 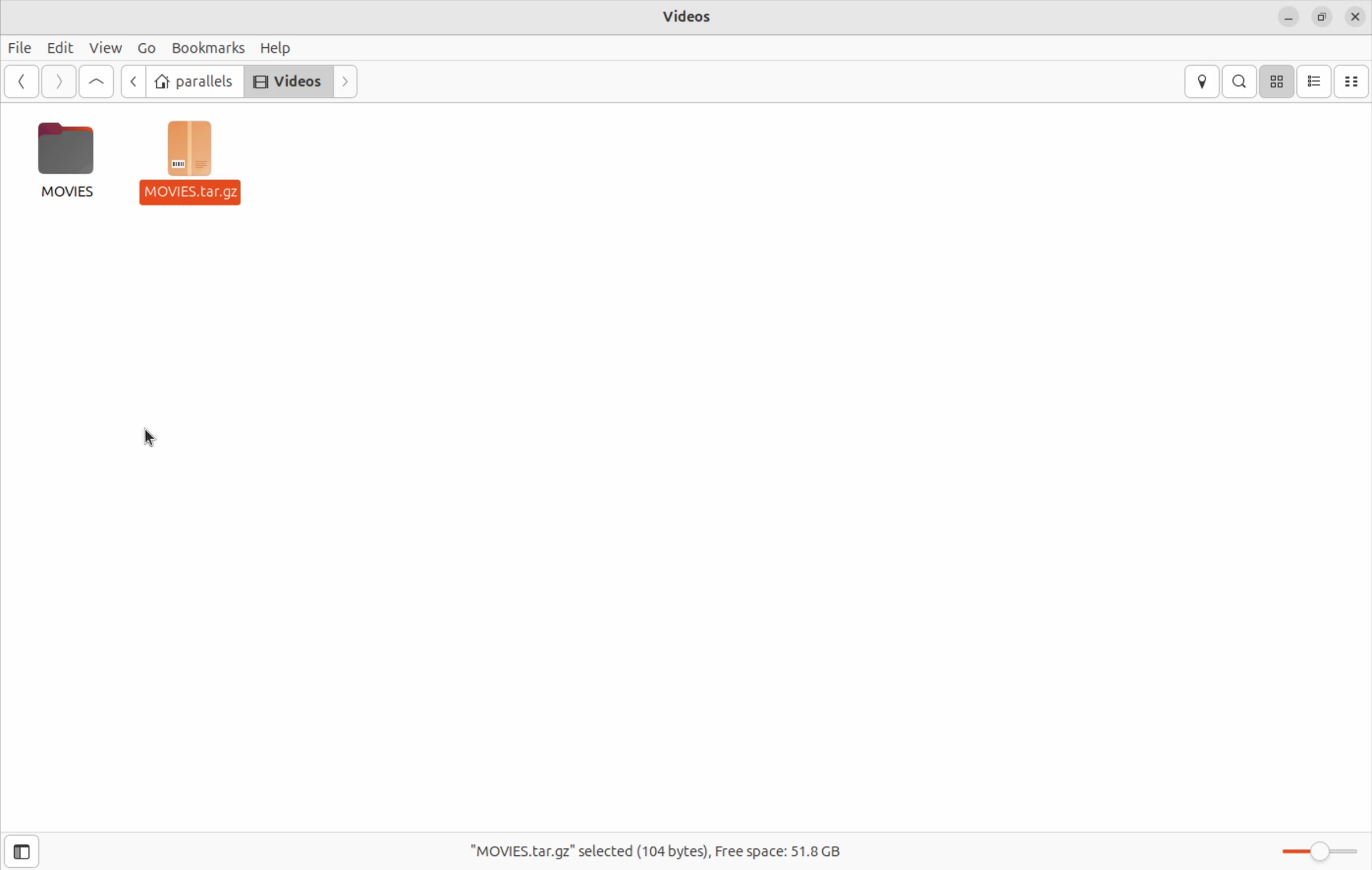 What do you see at coordinates (1353, 81) in the screenshot?
I see `compact view` at bounding box center [1353, 81].